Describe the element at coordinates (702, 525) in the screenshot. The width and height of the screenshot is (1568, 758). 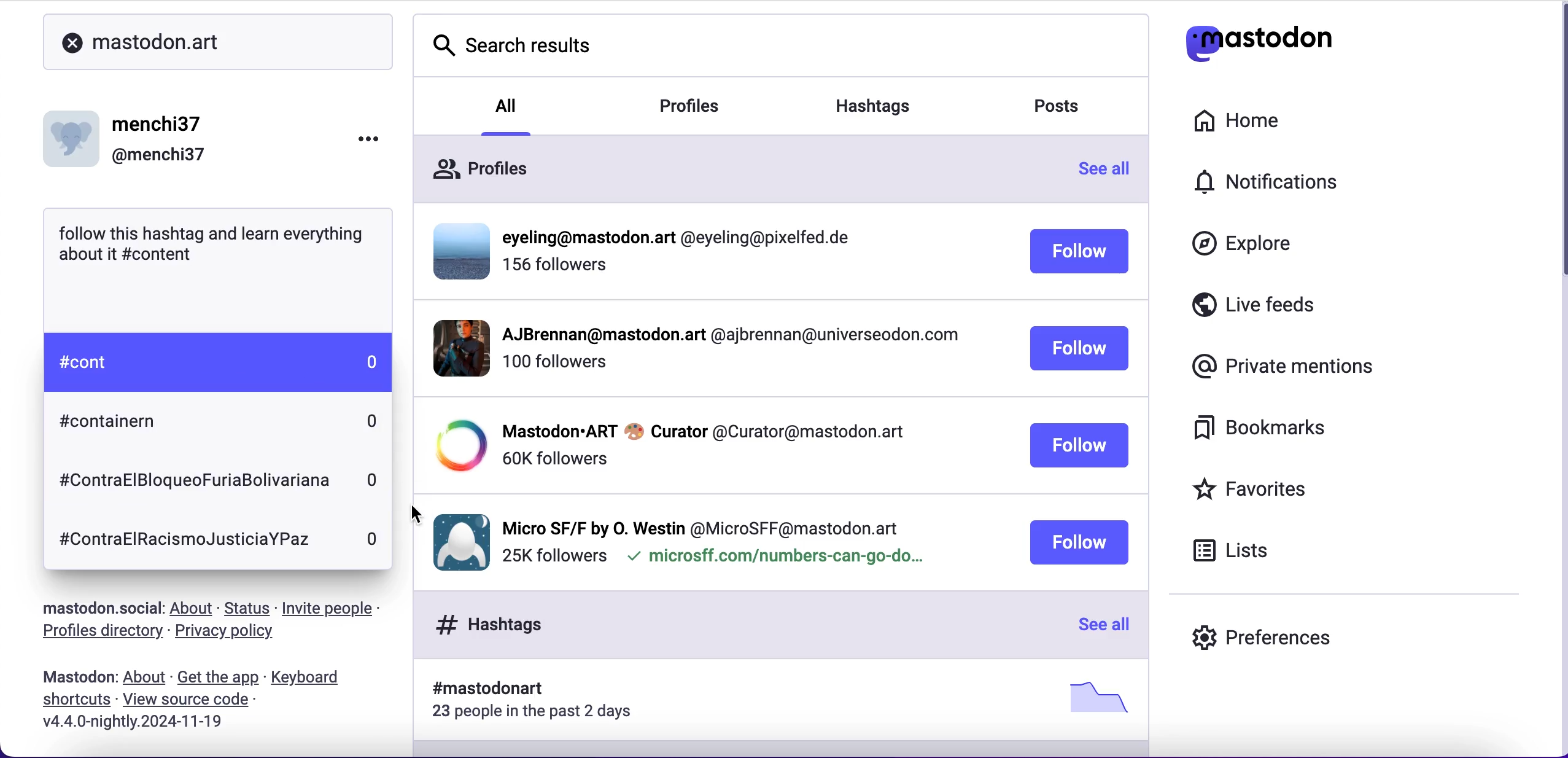
I see `profile` at that location.